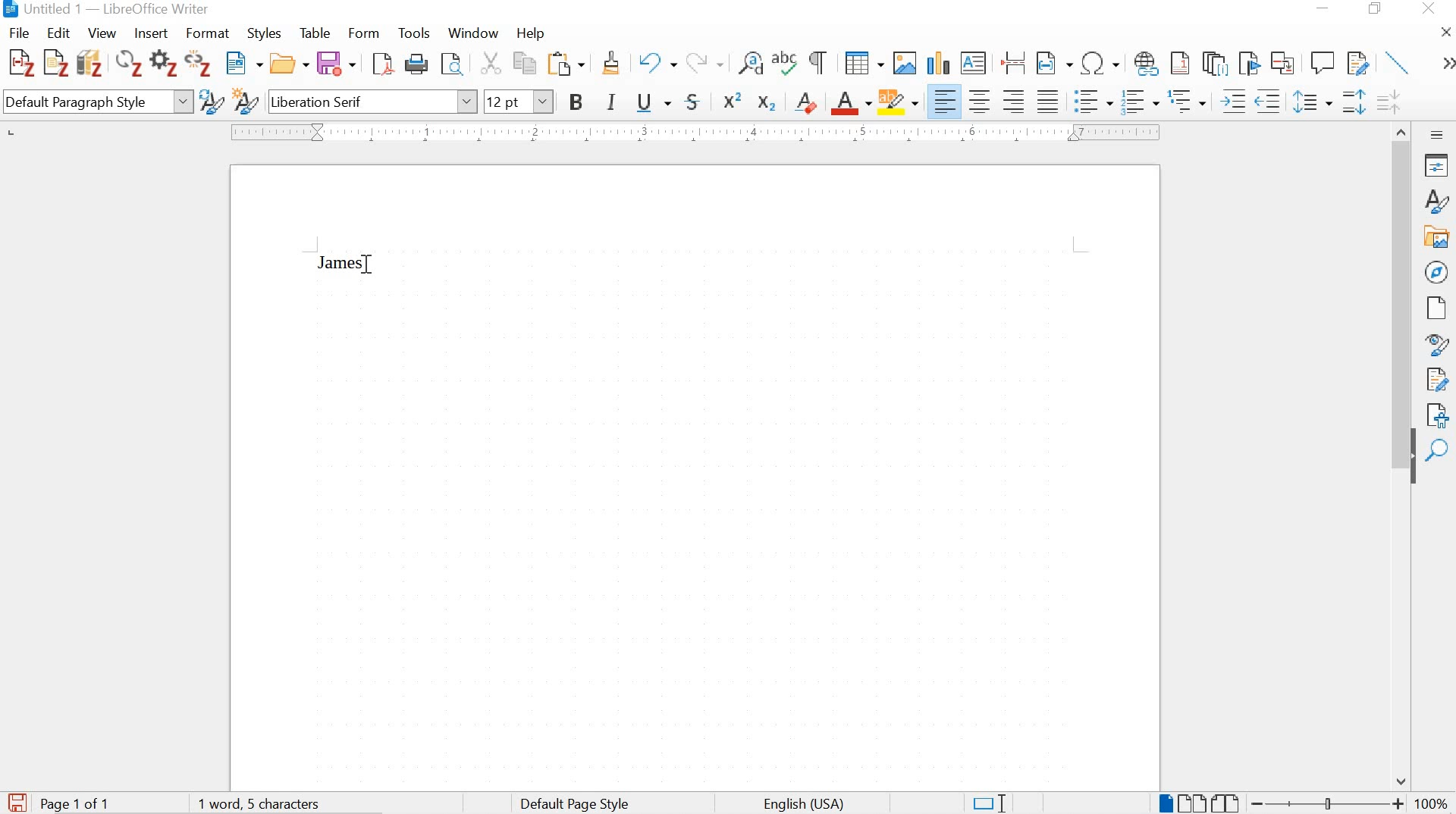  What do you see at coordinates (613, 65) in the screenshot?
I see `clone formatting` at bounding box center [613, 65].